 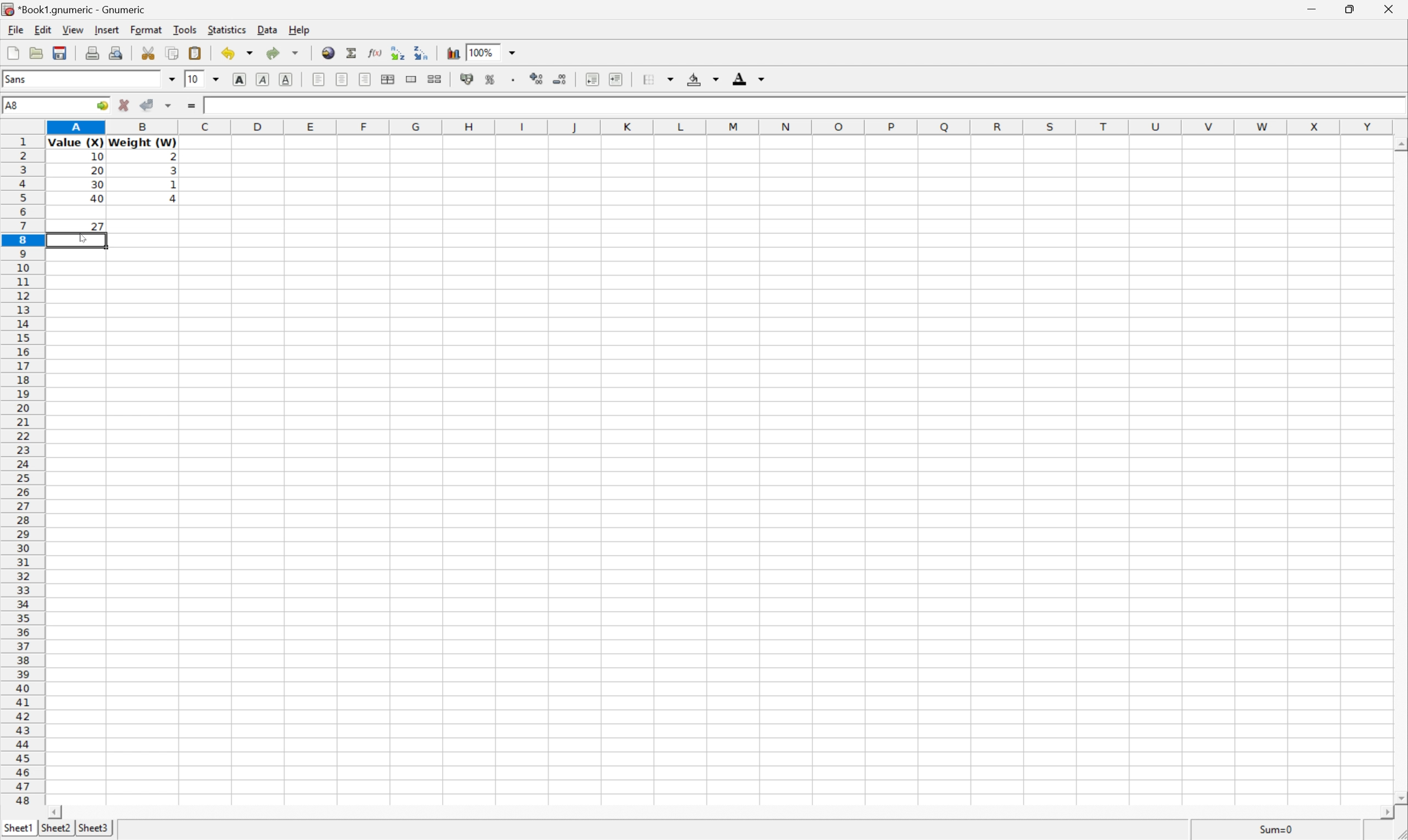 What do you see at coordinates (108, 30) in the screenshot?
I see `Insert` at bounding box center [108, 30].